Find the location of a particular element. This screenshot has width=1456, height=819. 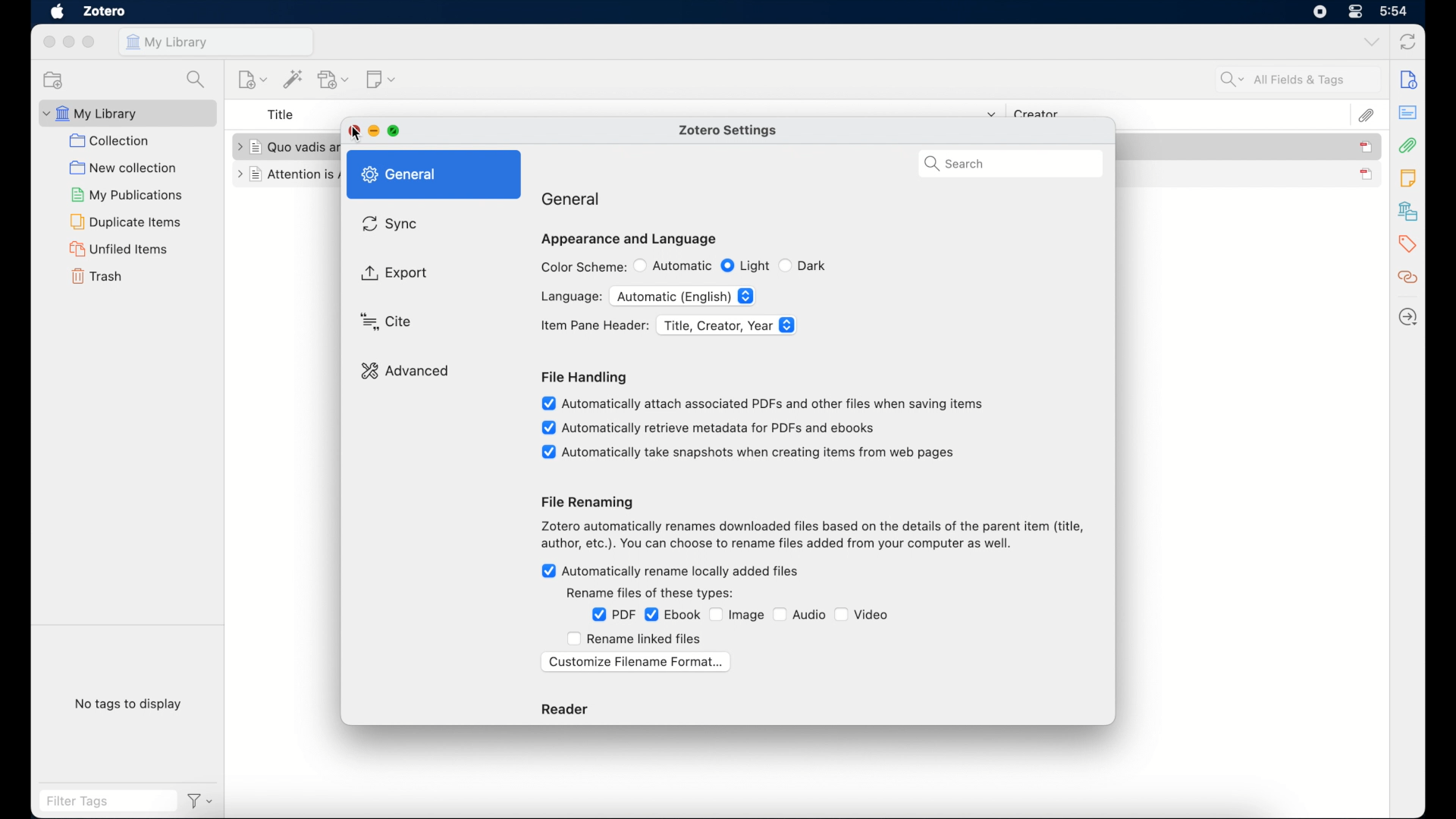

zotero settings is located at coordinates (729, 133).